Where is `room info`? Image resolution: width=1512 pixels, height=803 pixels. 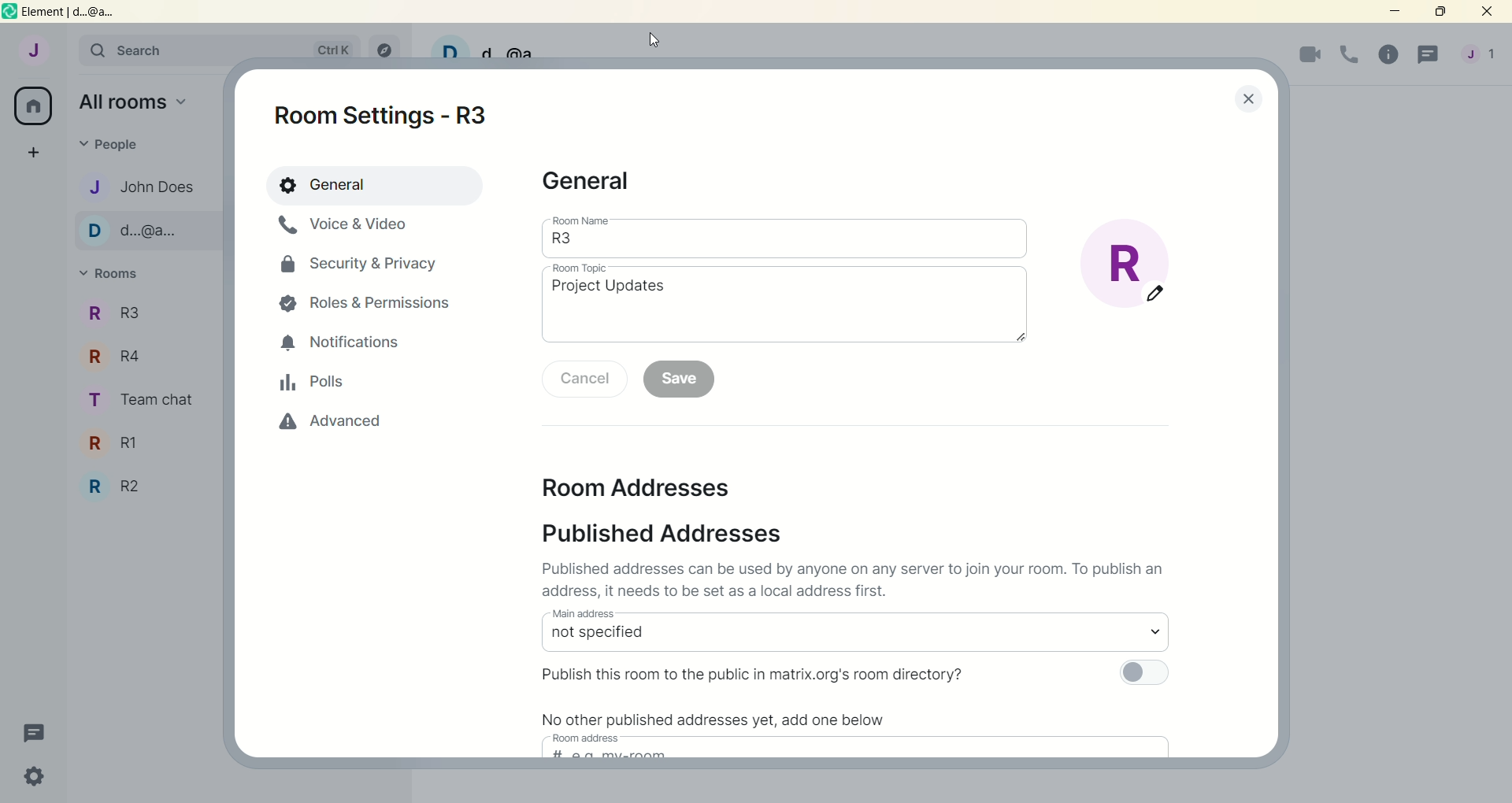 room info is located at coordinates (1387, 54).